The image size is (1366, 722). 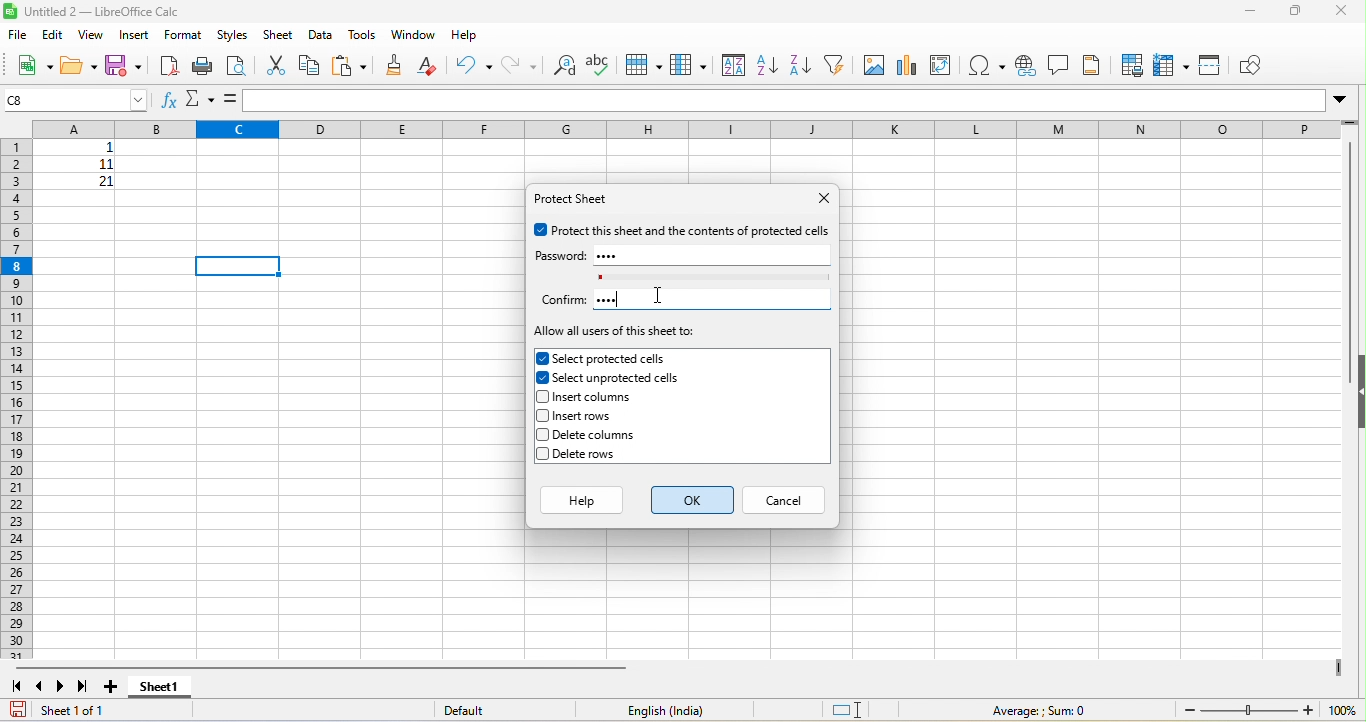 What do you see at coordinates (1036, 710) in the screenshot?
I see `formula` at bounding box center [1036, 710].